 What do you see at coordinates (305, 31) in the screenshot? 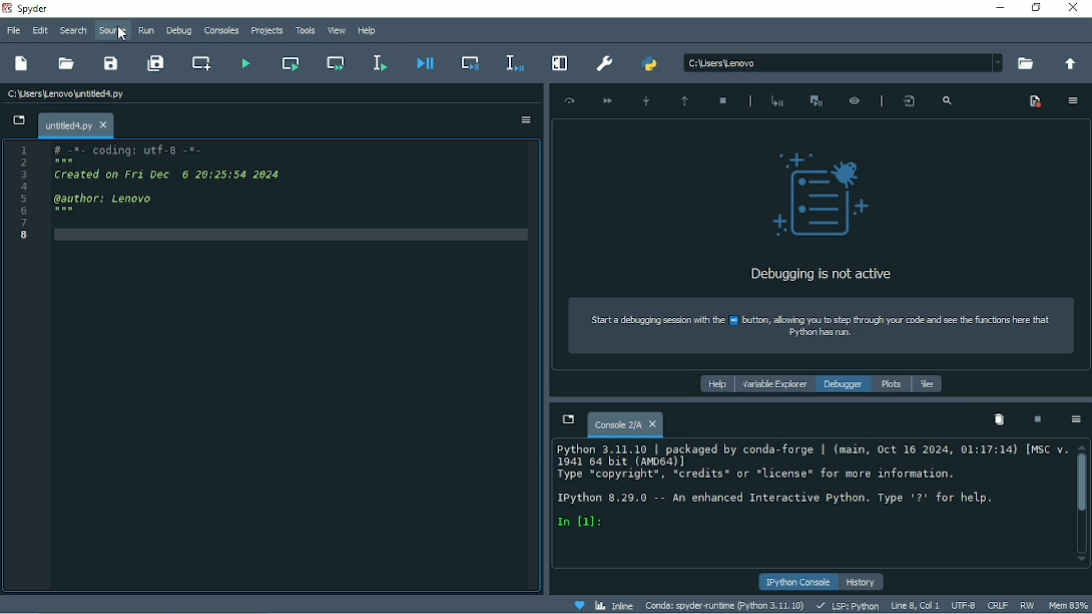
I see `Tools` at bounding box center [305, 31].